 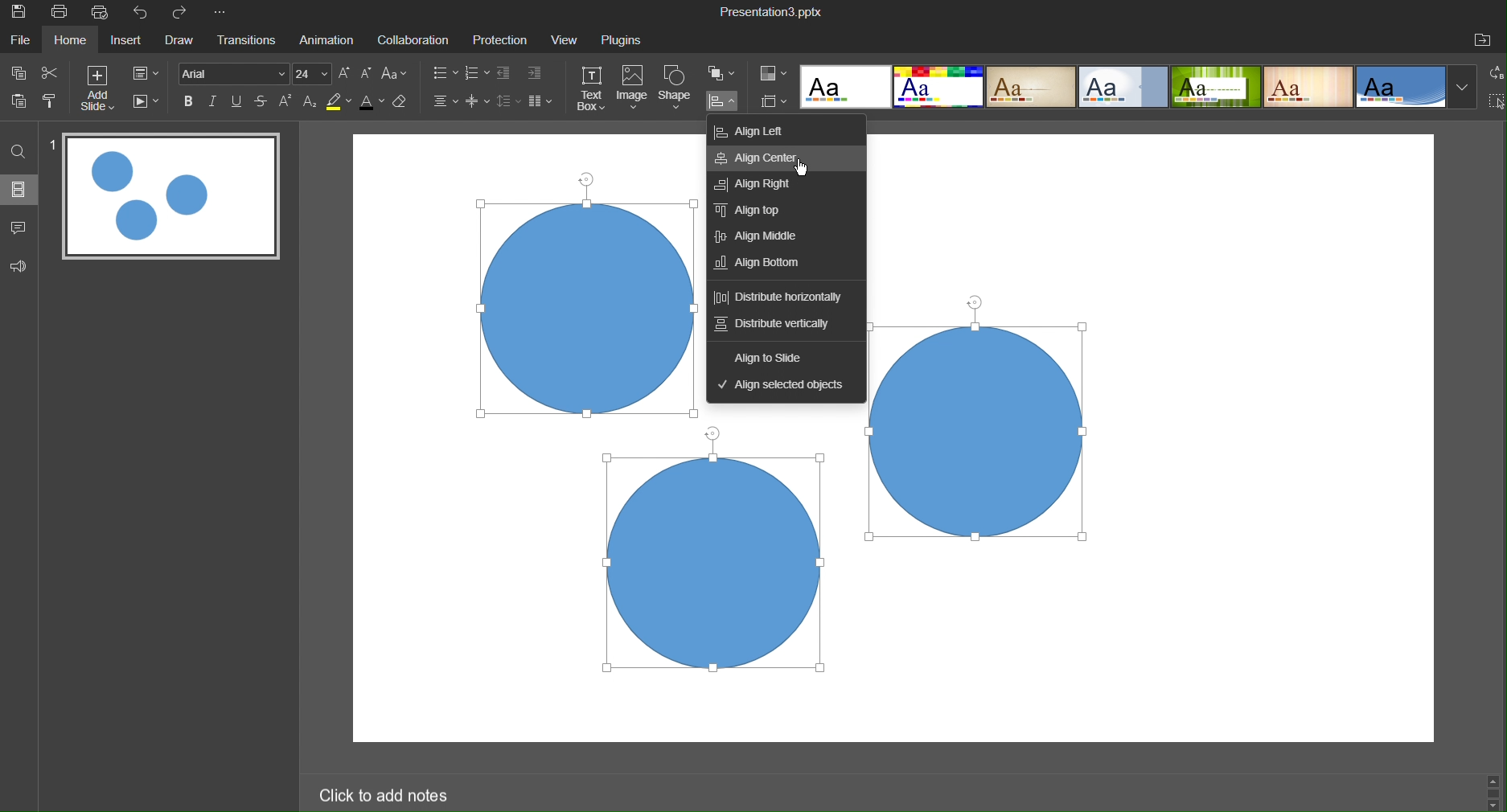 I want to click on Underline, so click(x=240, y=101).